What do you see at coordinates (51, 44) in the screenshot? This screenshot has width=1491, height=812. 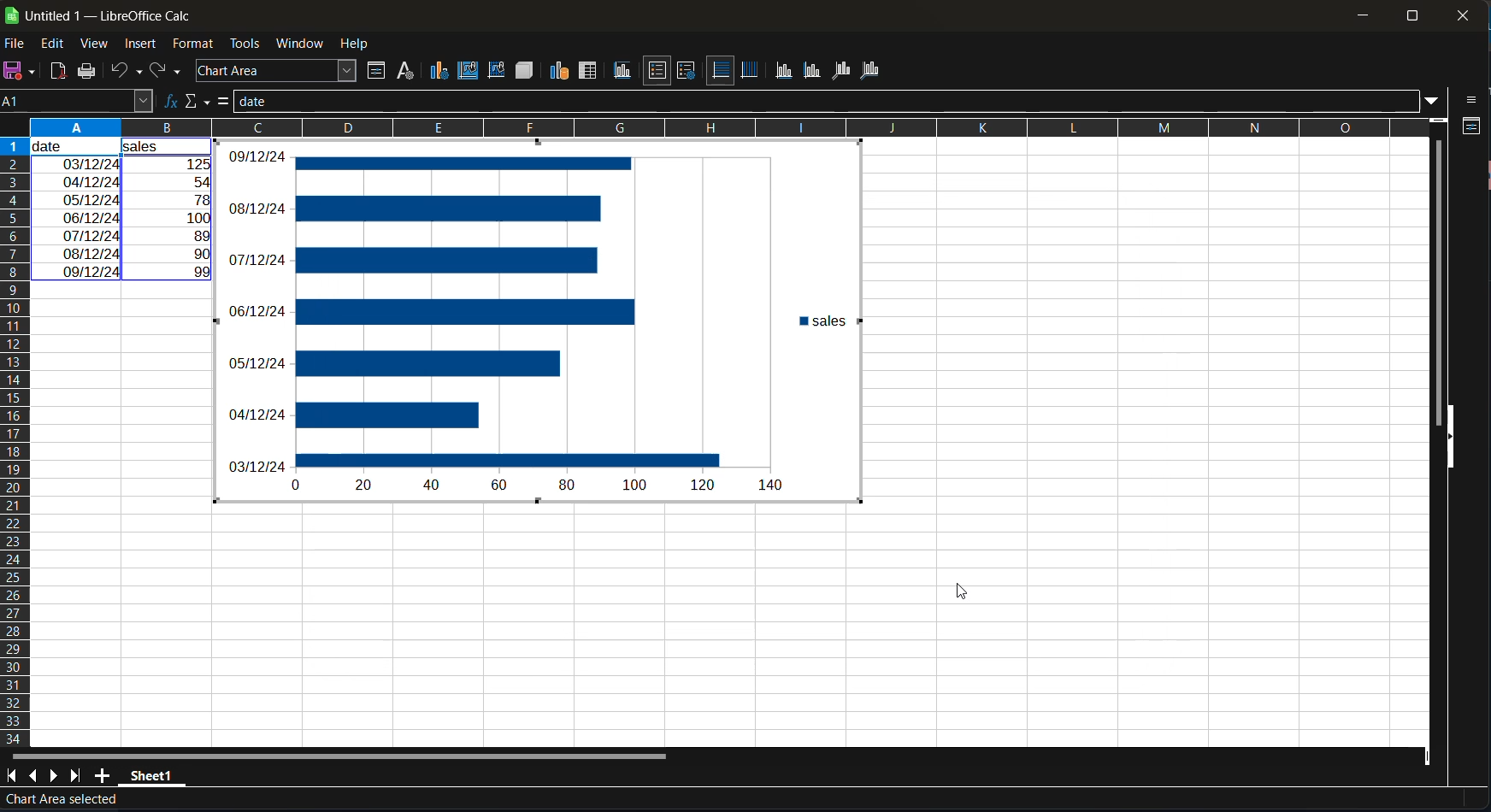 I see `edit` at bounding box center [51, 44].